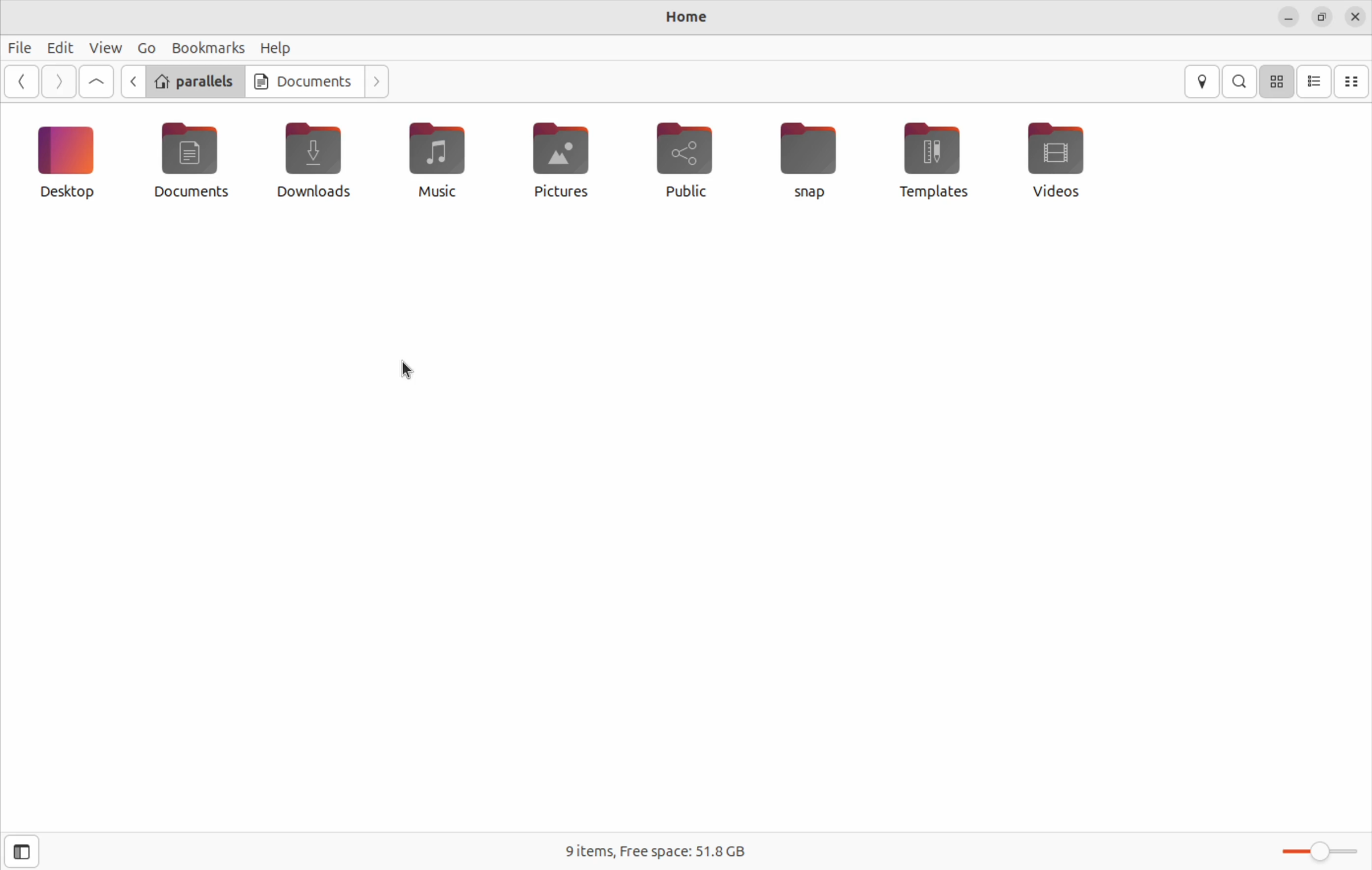 The image size is (1372, 870). Describe the element at coordinates (375, 79) in the screenshot. I see `Go next` at that location.